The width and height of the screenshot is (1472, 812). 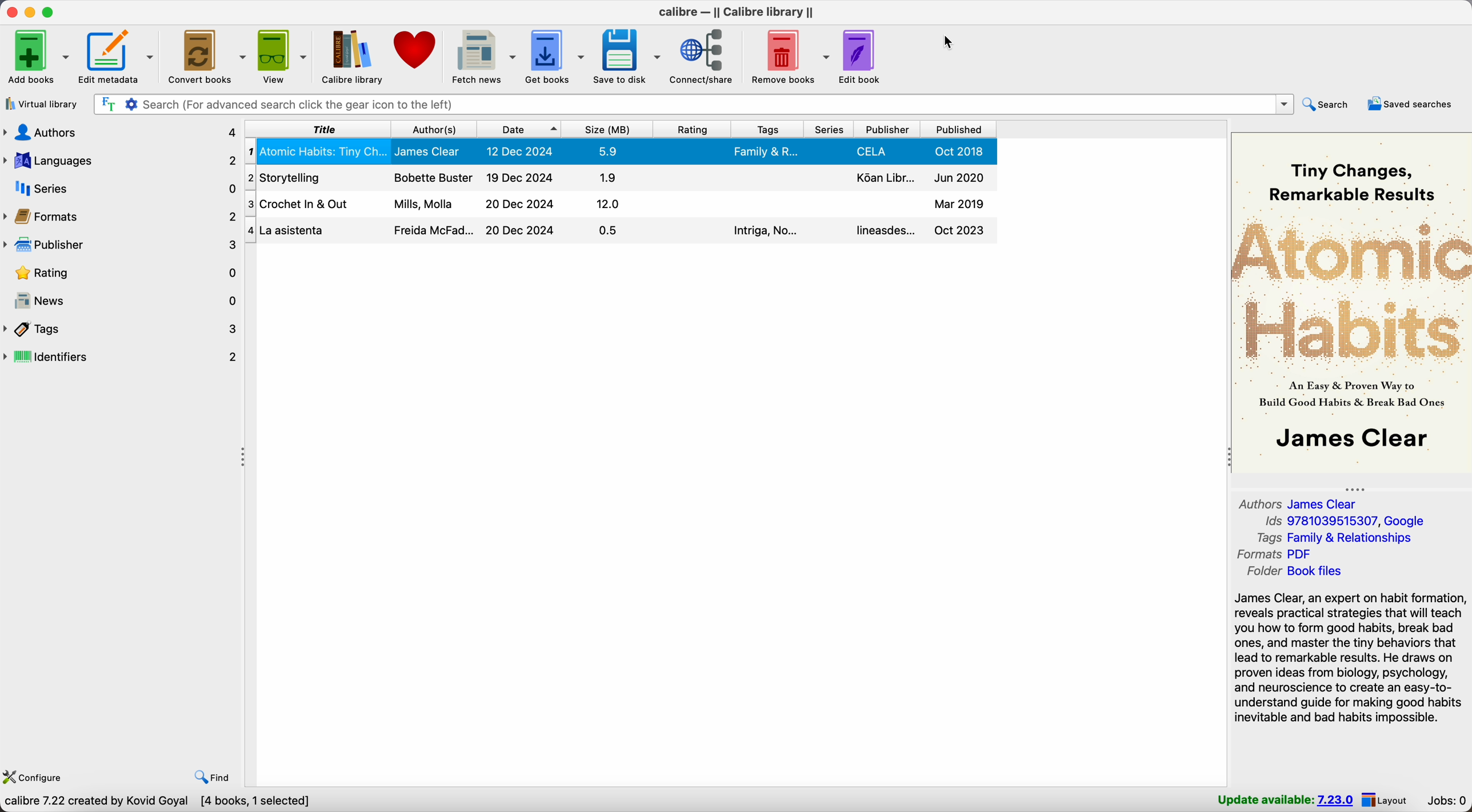 I want to click on find, so click(x=209, y=776).